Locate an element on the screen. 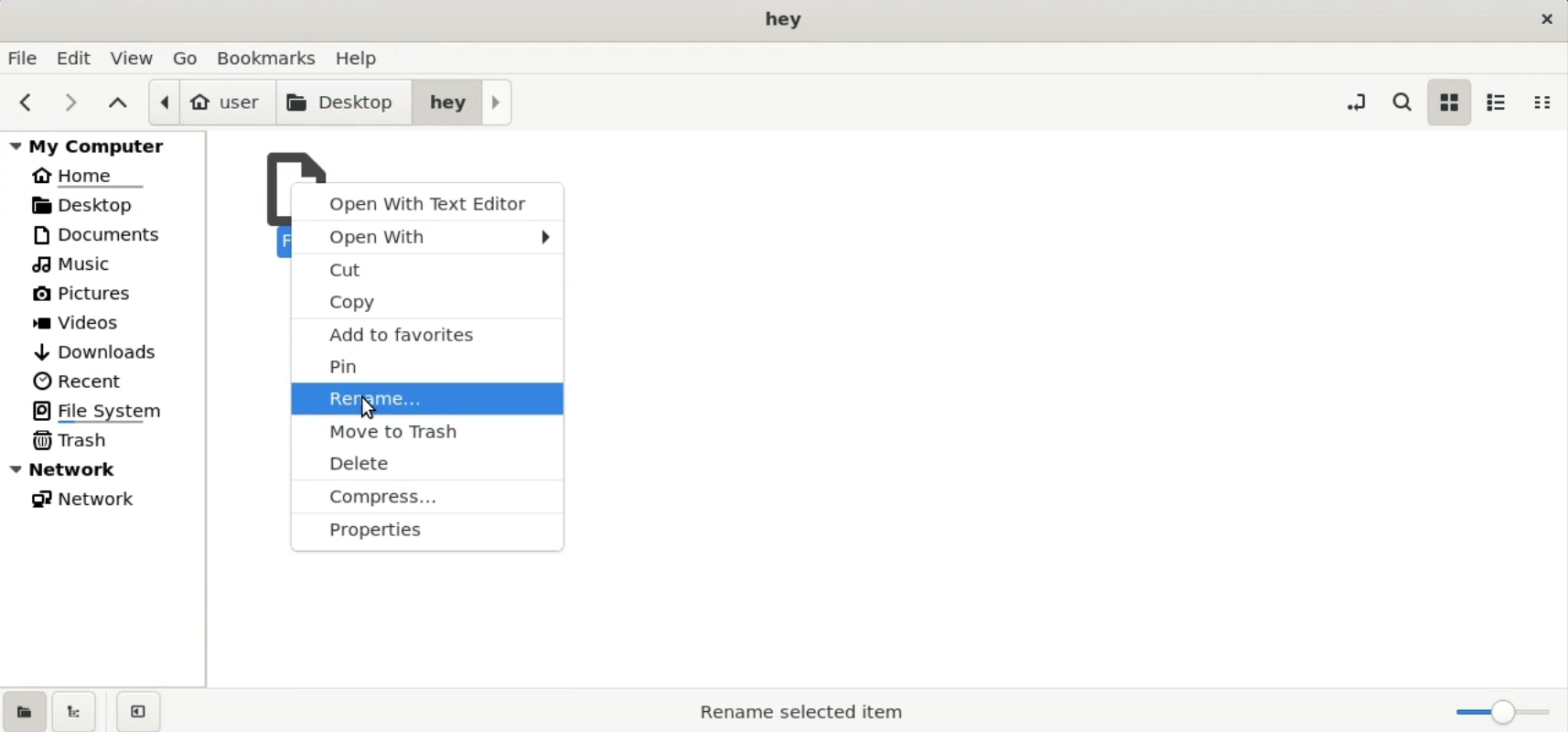  help is located at coordinates (362, 55).